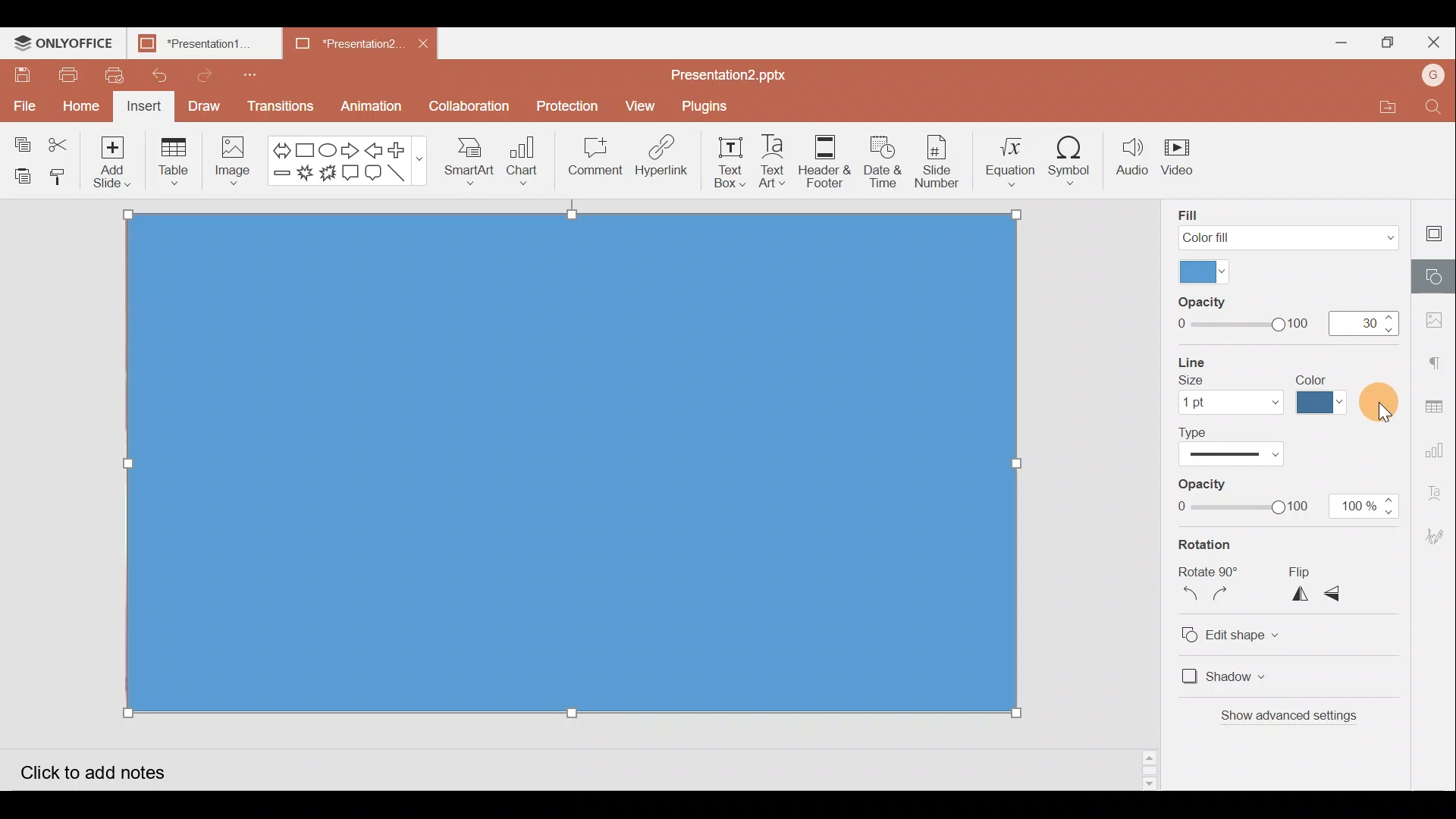 The width and height of the screenshot is (1456, 819). What do you see at coordinates (1325, 393) in the screenshot?
I see `Line color` at bounding box center [1325, 393].